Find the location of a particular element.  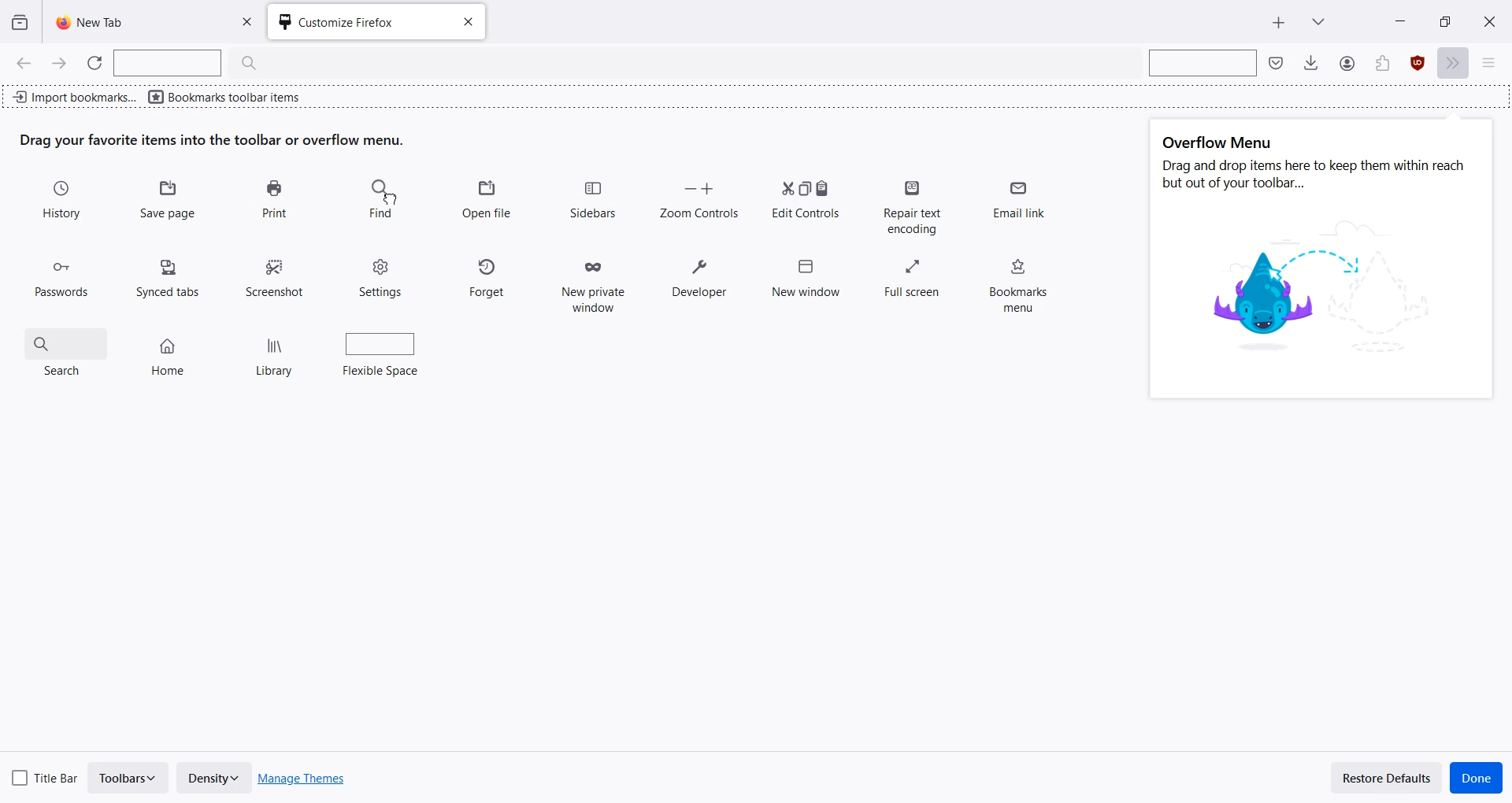

Text is located at coordinates (1316, 164).